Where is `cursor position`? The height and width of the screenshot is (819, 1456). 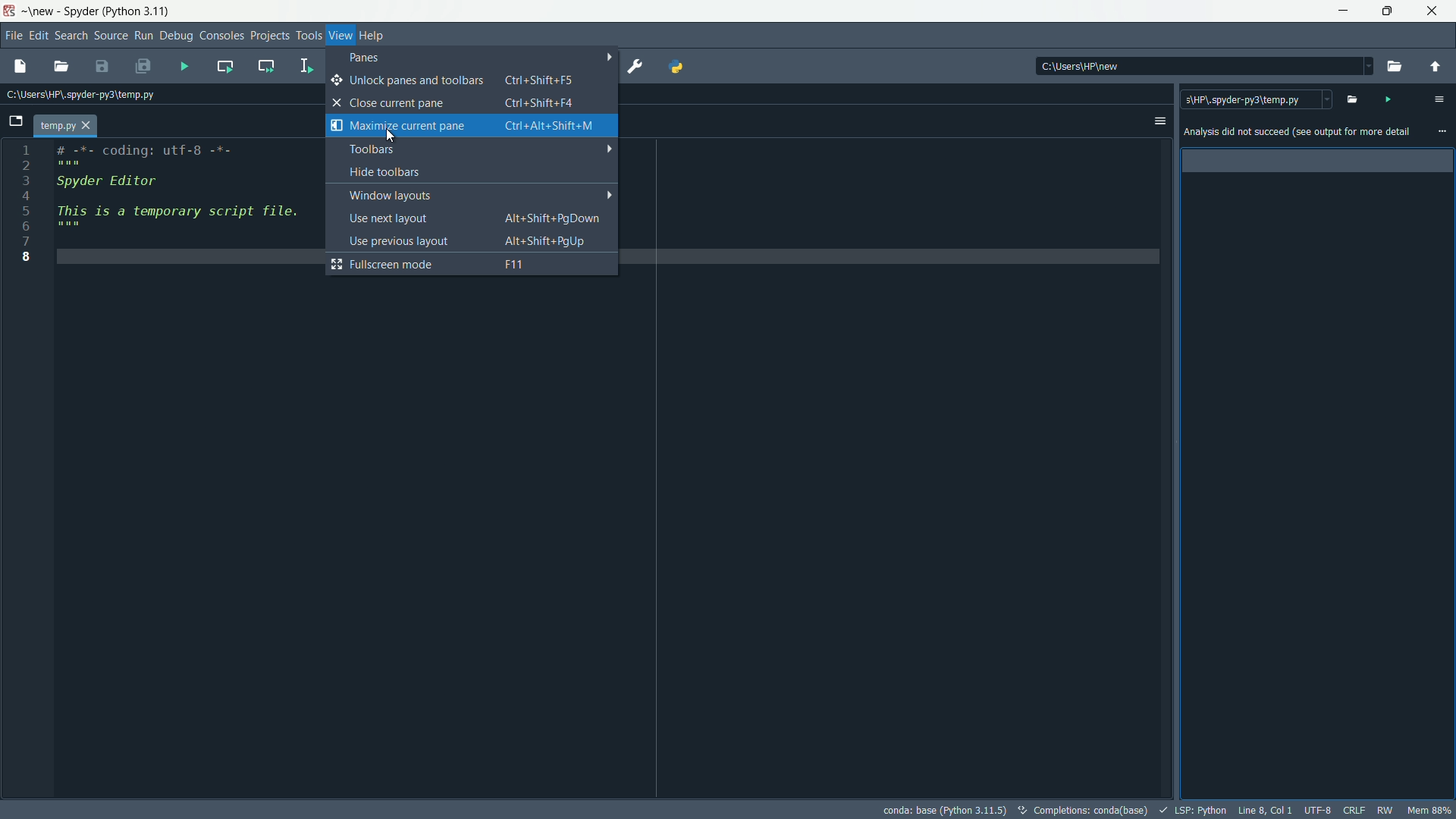 cursor position is located at coordinates (1264, 809).